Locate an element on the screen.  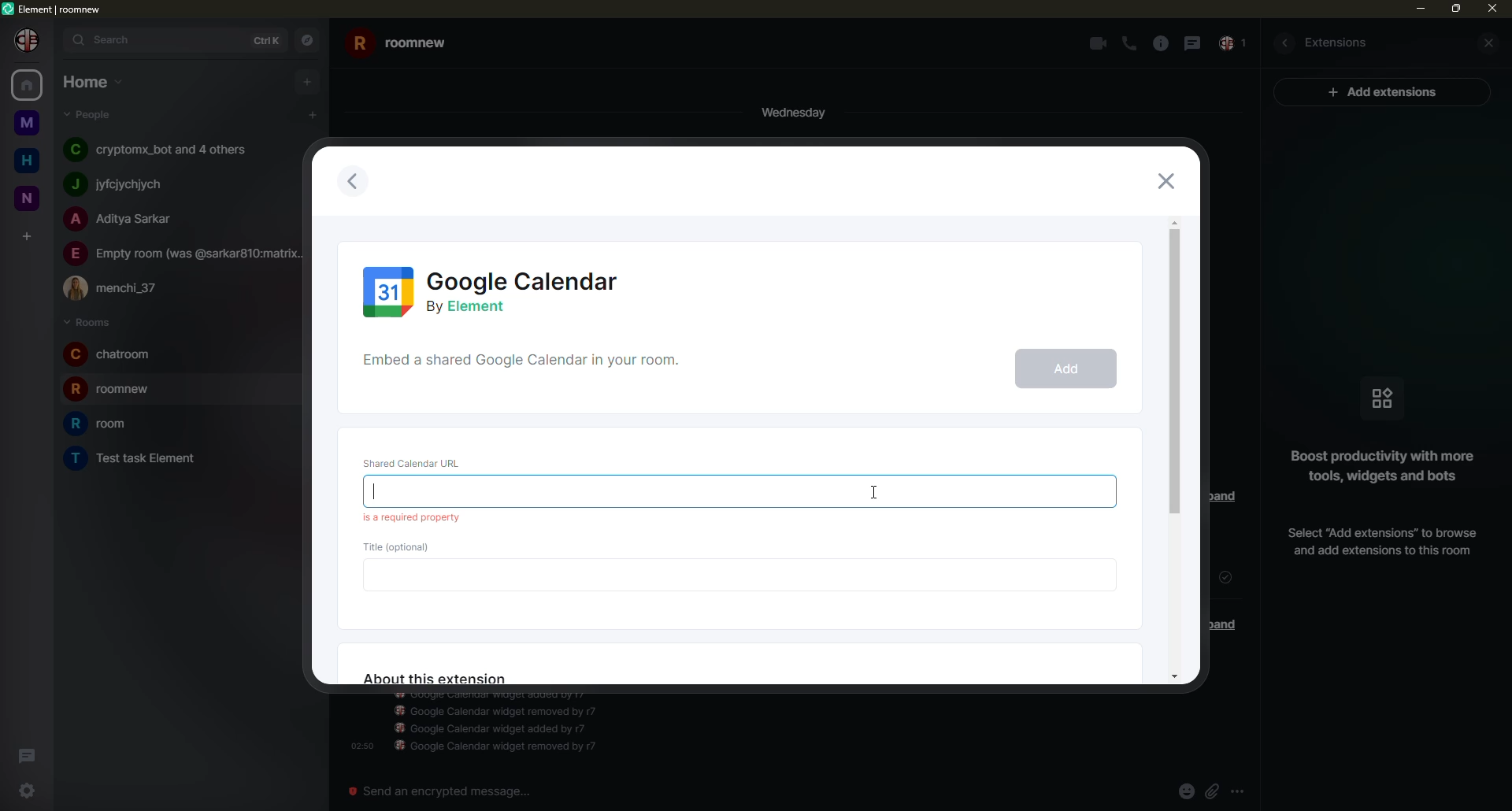
room is located at coordinates (137, 457).